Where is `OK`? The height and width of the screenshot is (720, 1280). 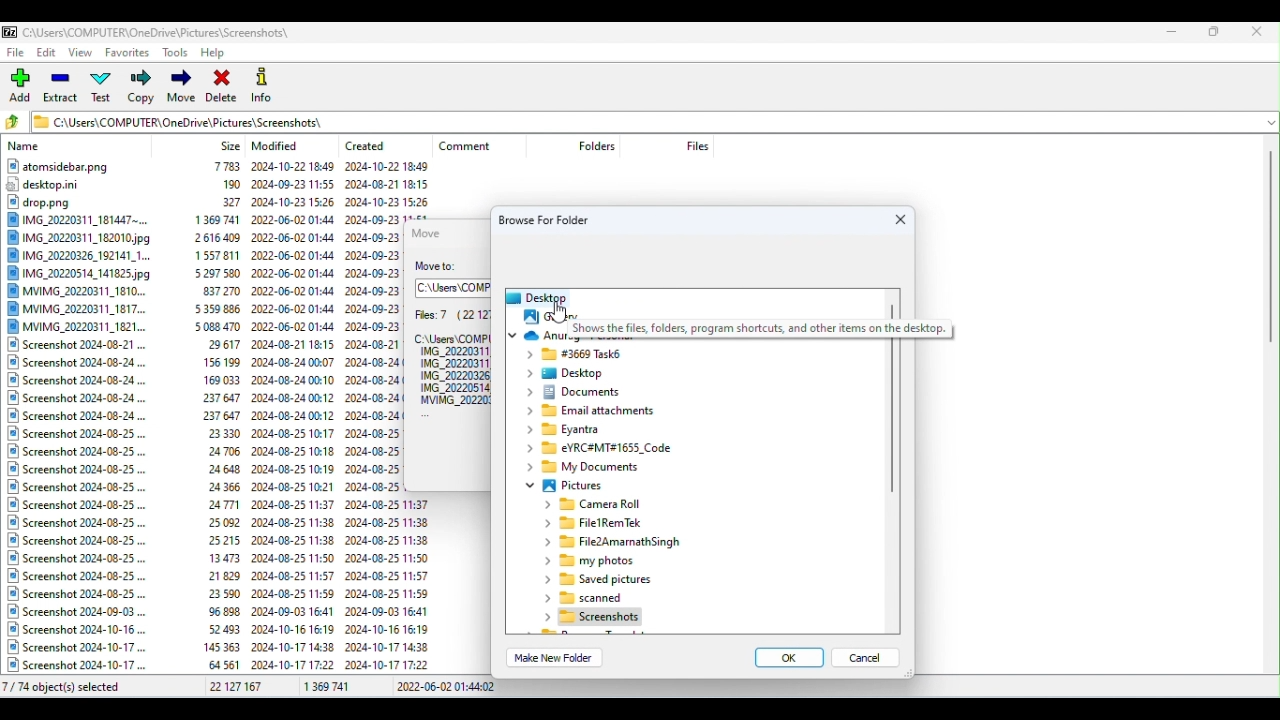
OK is located at coordinates (783, 660).